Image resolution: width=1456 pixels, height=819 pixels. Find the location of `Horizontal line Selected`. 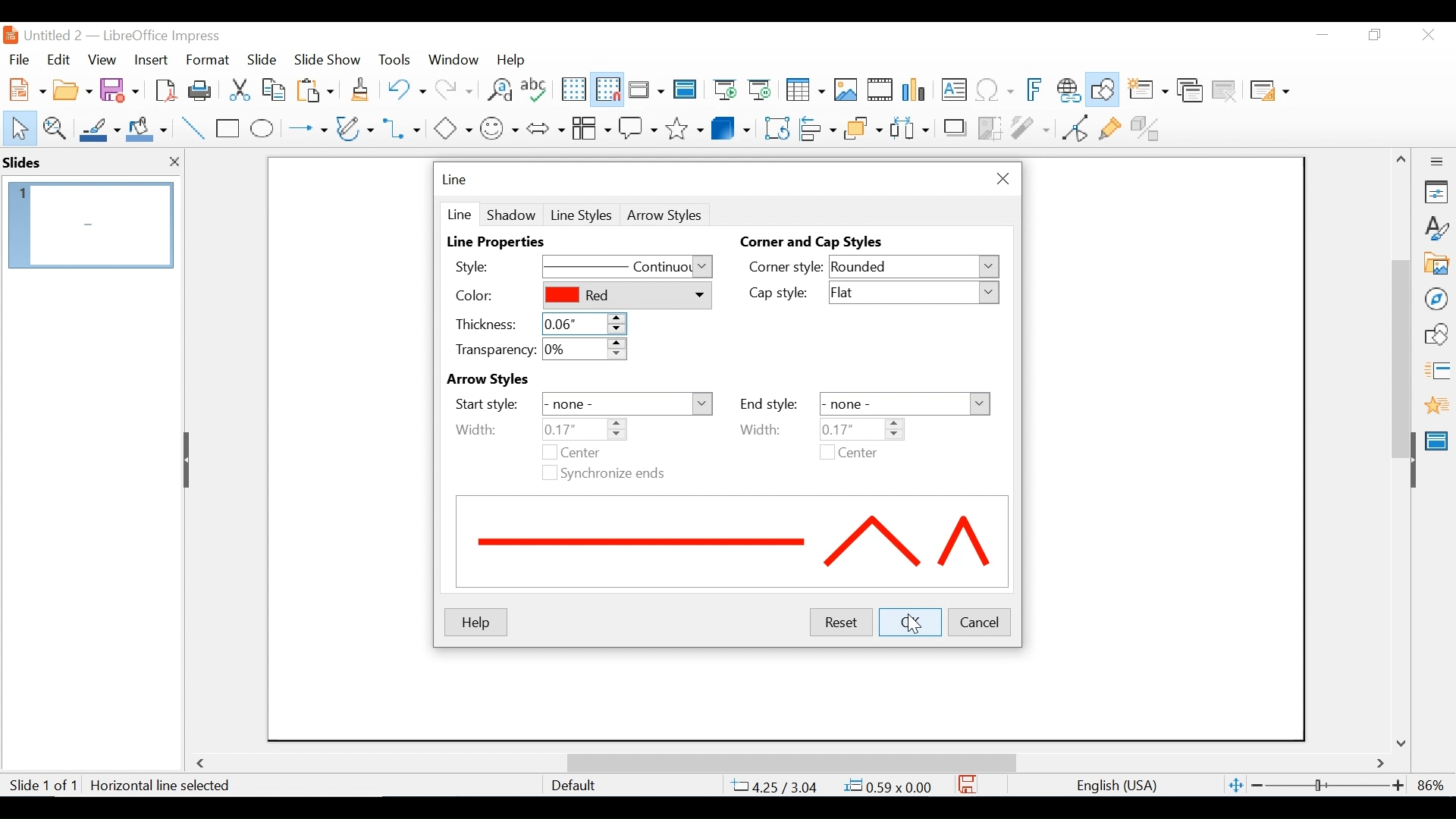

Horizontal line Selected is located at coordinates (162, 786).